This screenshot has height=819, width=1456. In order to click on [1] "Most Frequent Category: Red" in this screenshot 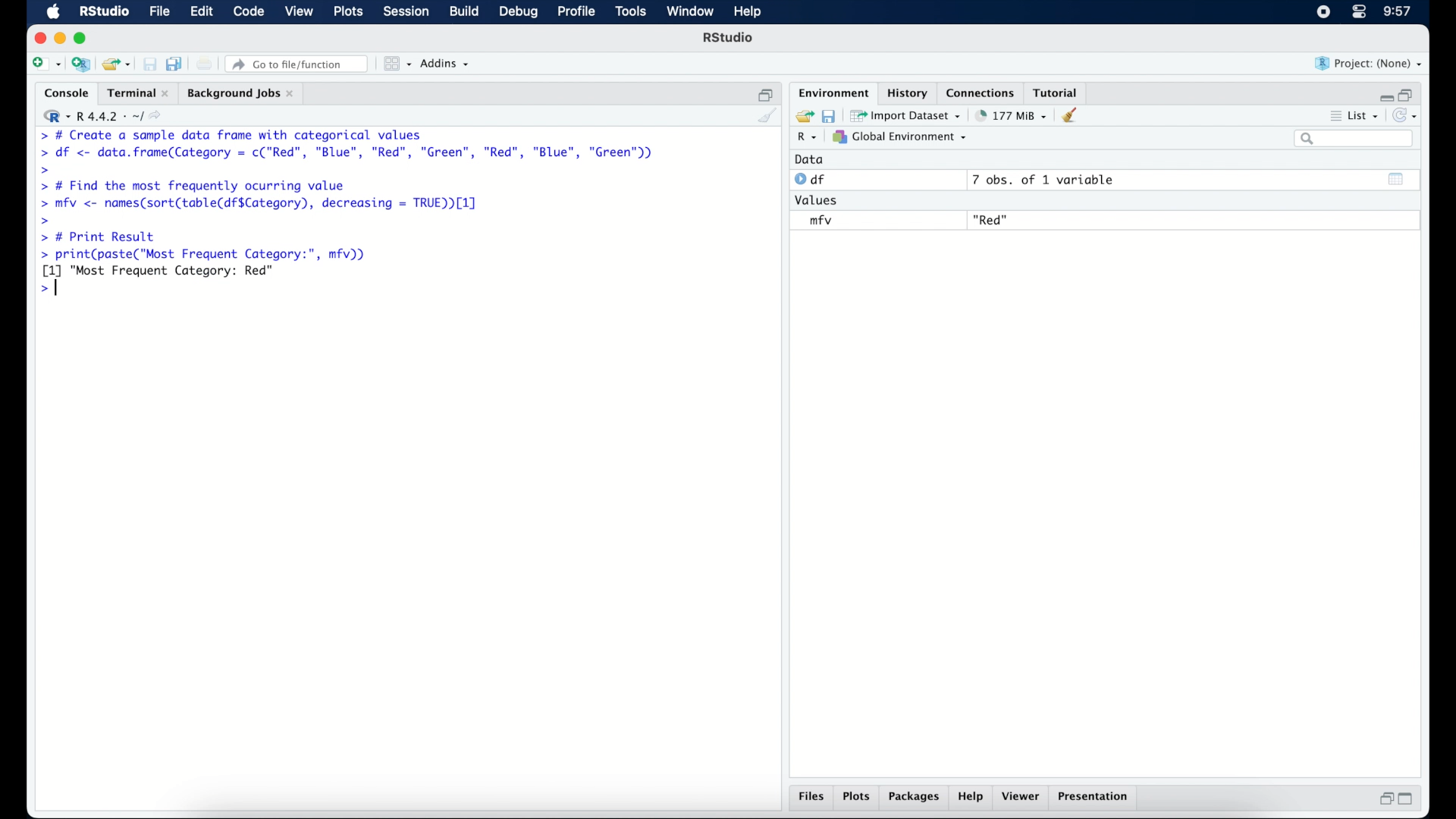, I will do `click(156, 270)`.